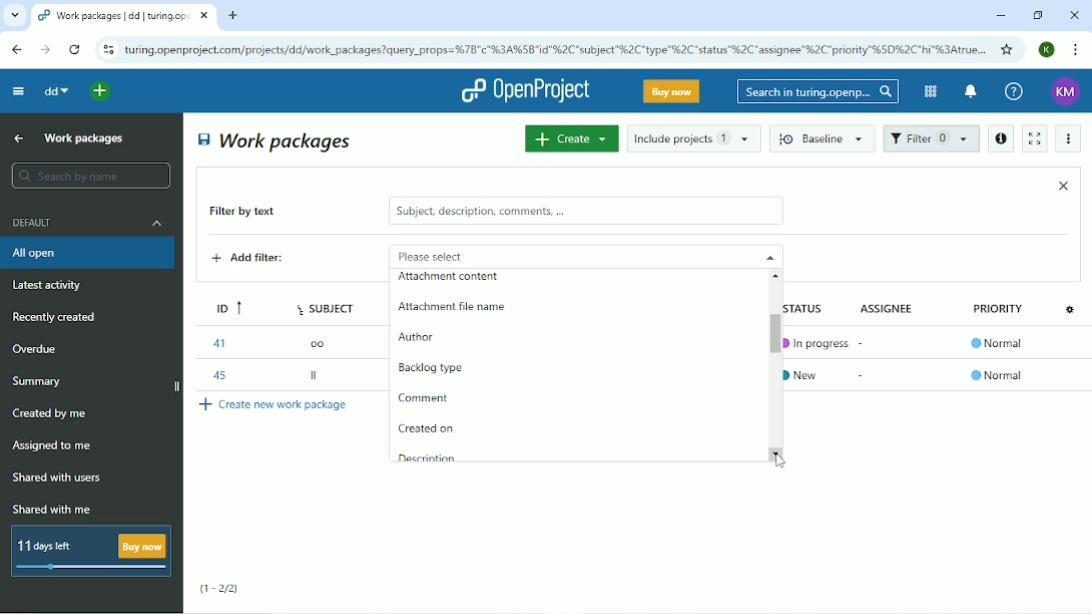 Image resolution: width=1092 pixels, height=614 pixels. Describe the element at coordinates (444, 371) in the screenshot. I see `Backlog type` at that location.